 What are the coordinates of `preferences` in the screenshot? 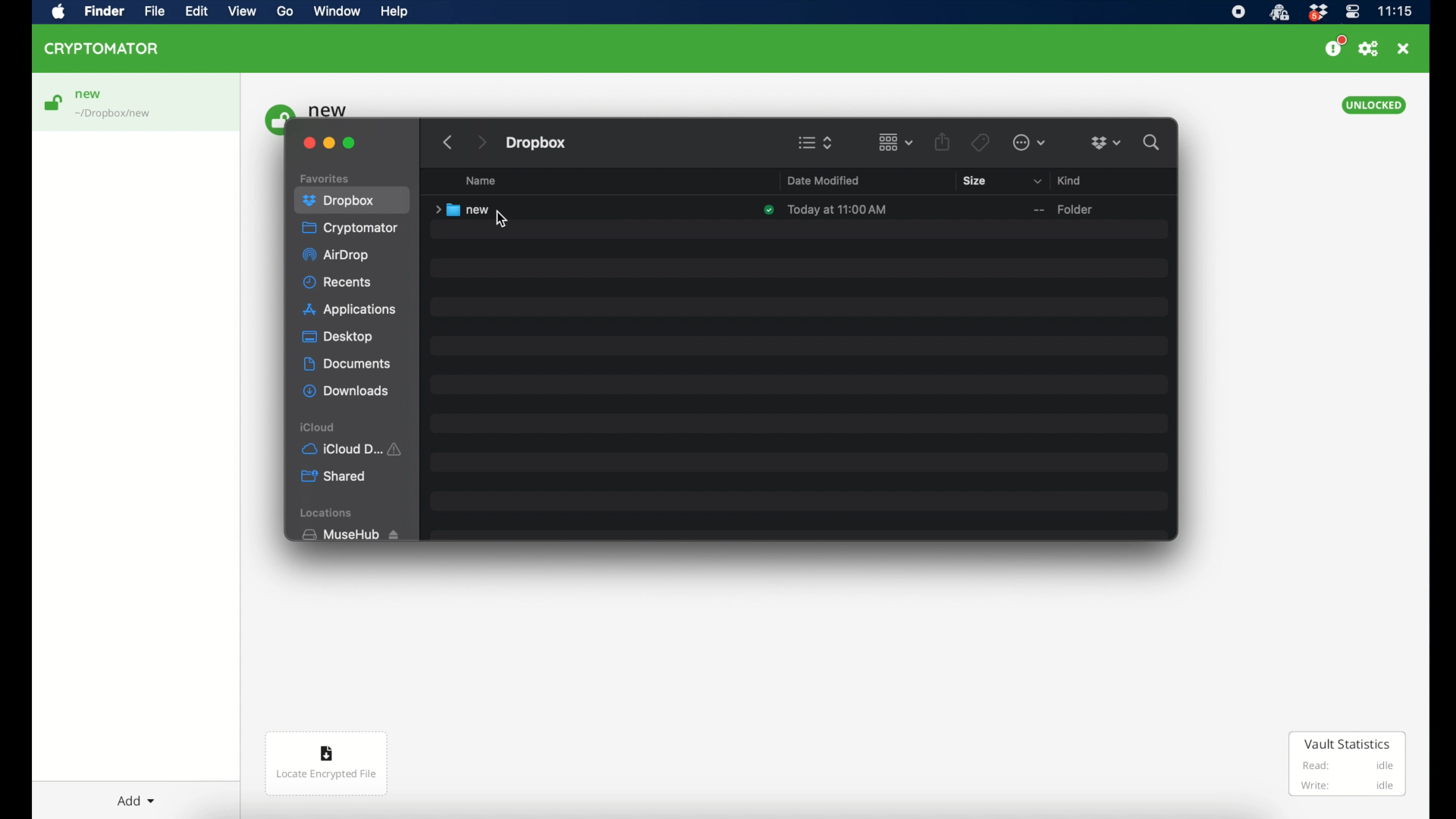 It's located at (1369, 49).